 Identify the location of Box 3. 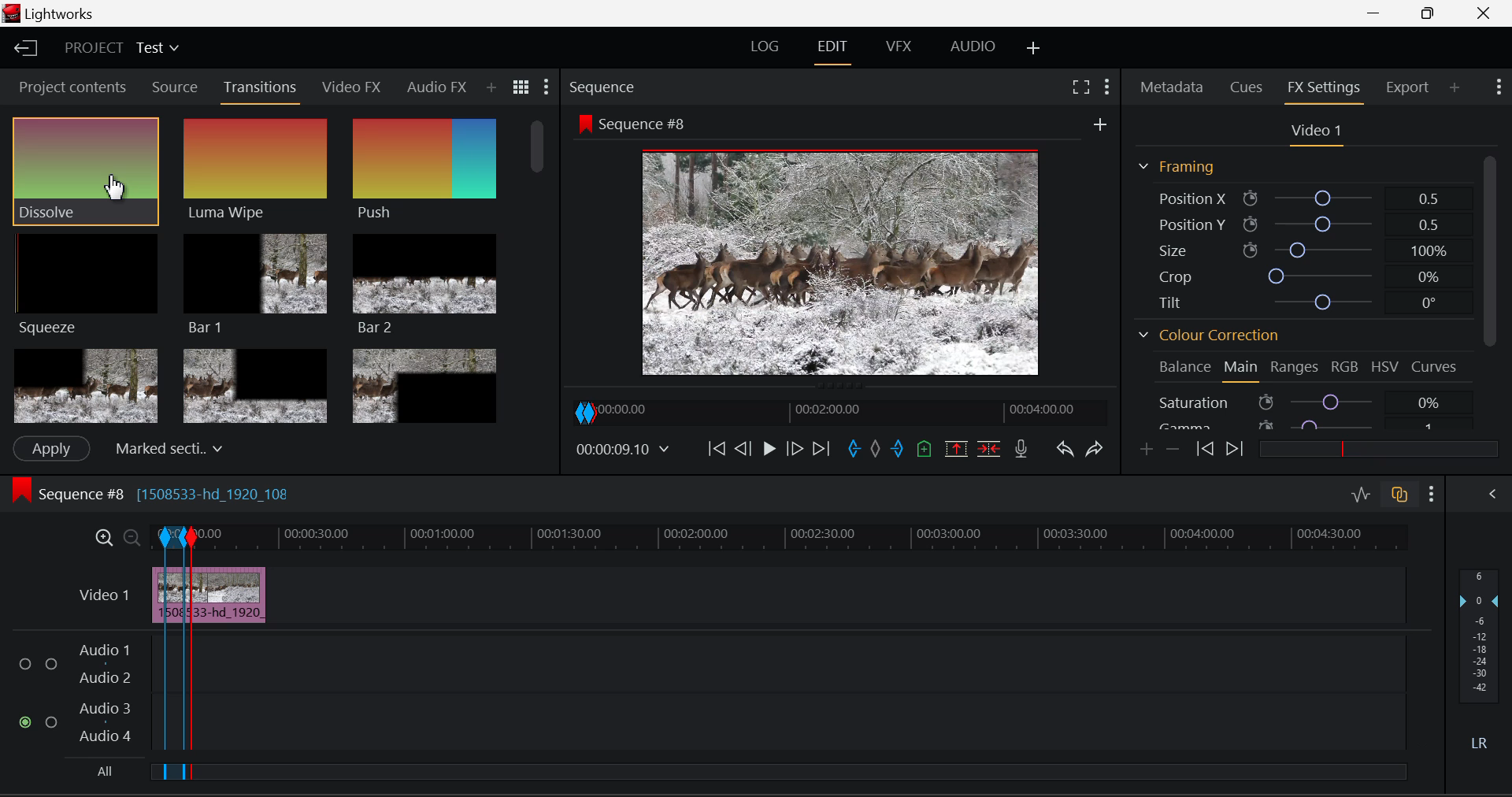
(426, 383).